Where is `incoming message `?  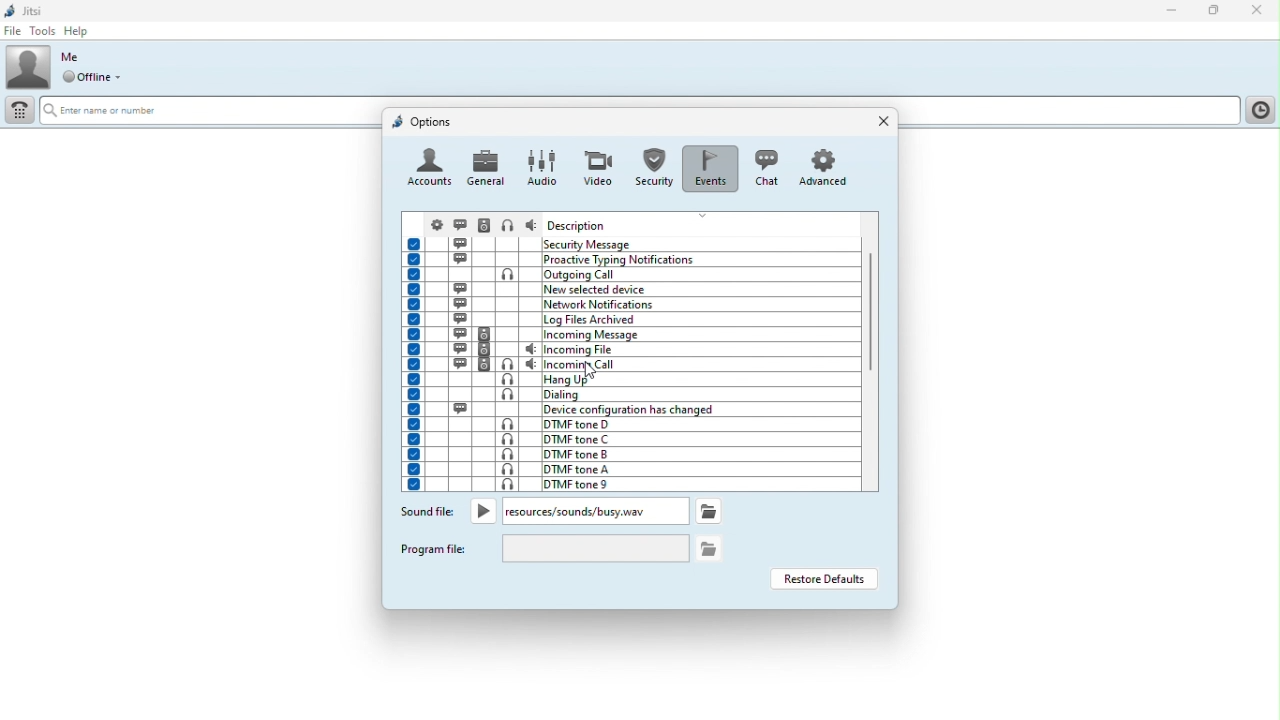
incoming message  is located at coordinates (631, 335).